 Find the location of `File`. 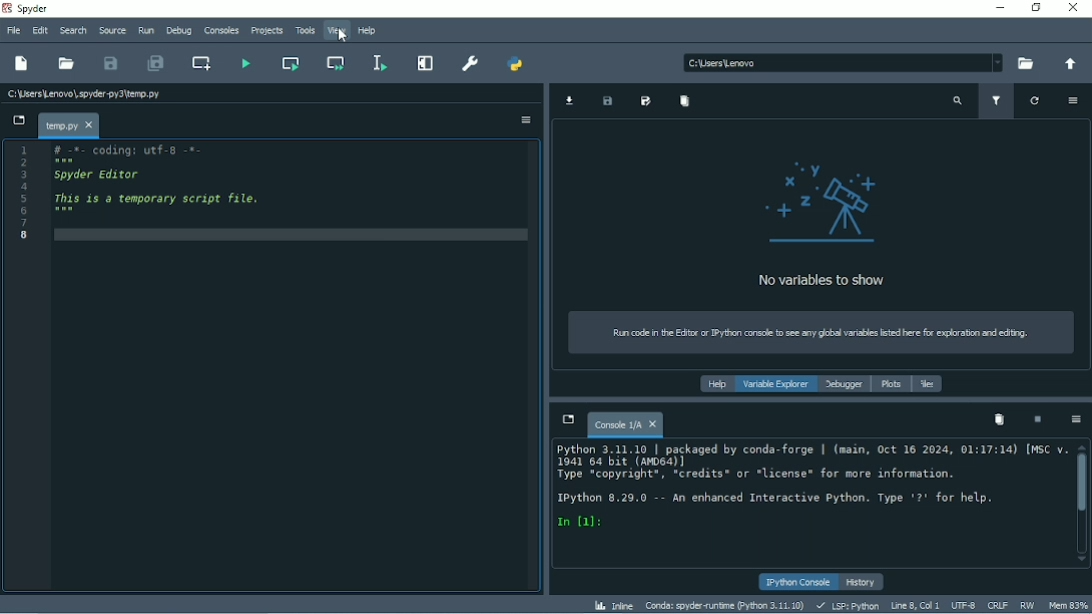

File is located at coordinates (12, 31).